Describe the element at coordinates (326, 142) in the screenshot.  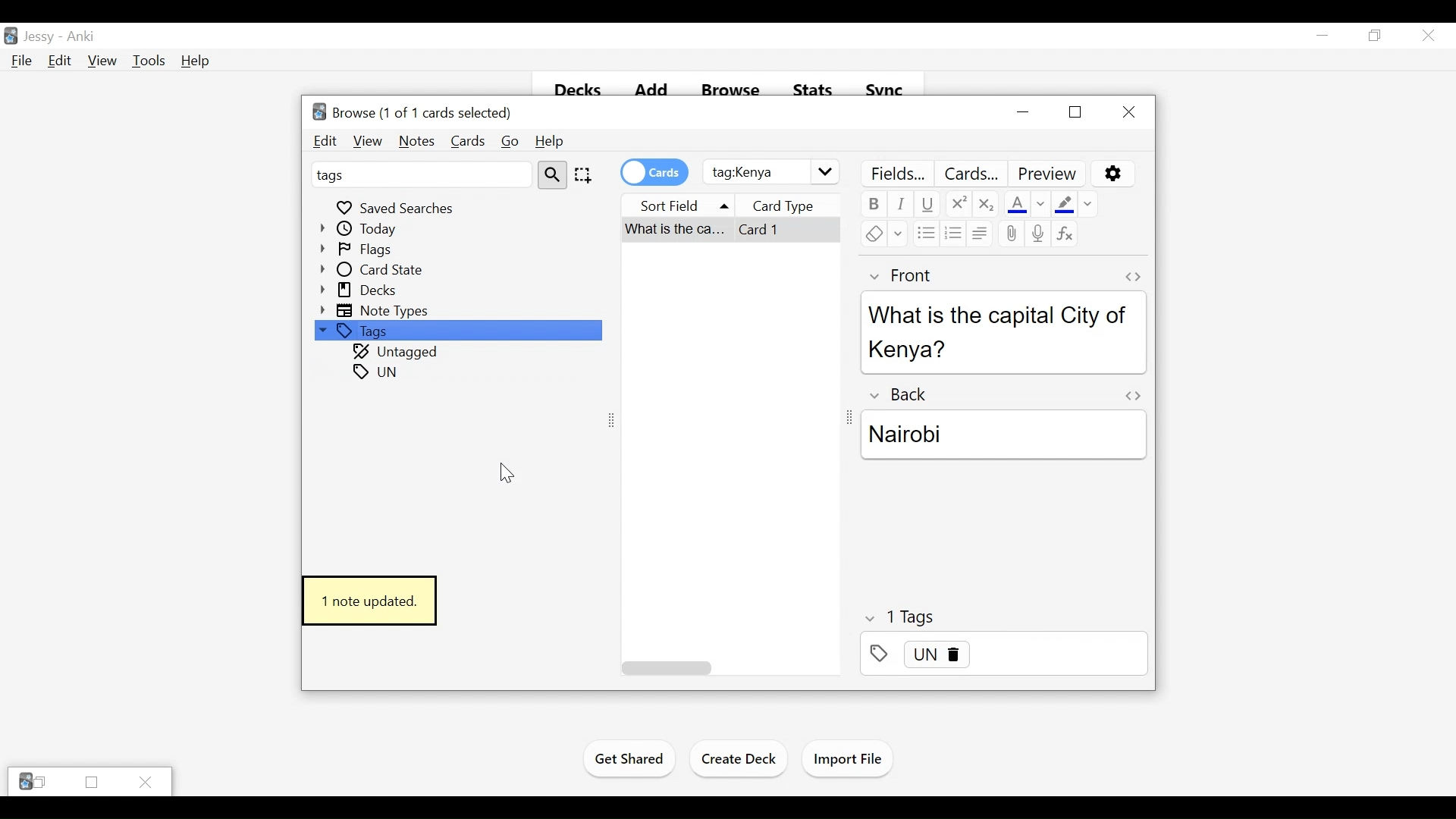
I see `Edit` at that location.